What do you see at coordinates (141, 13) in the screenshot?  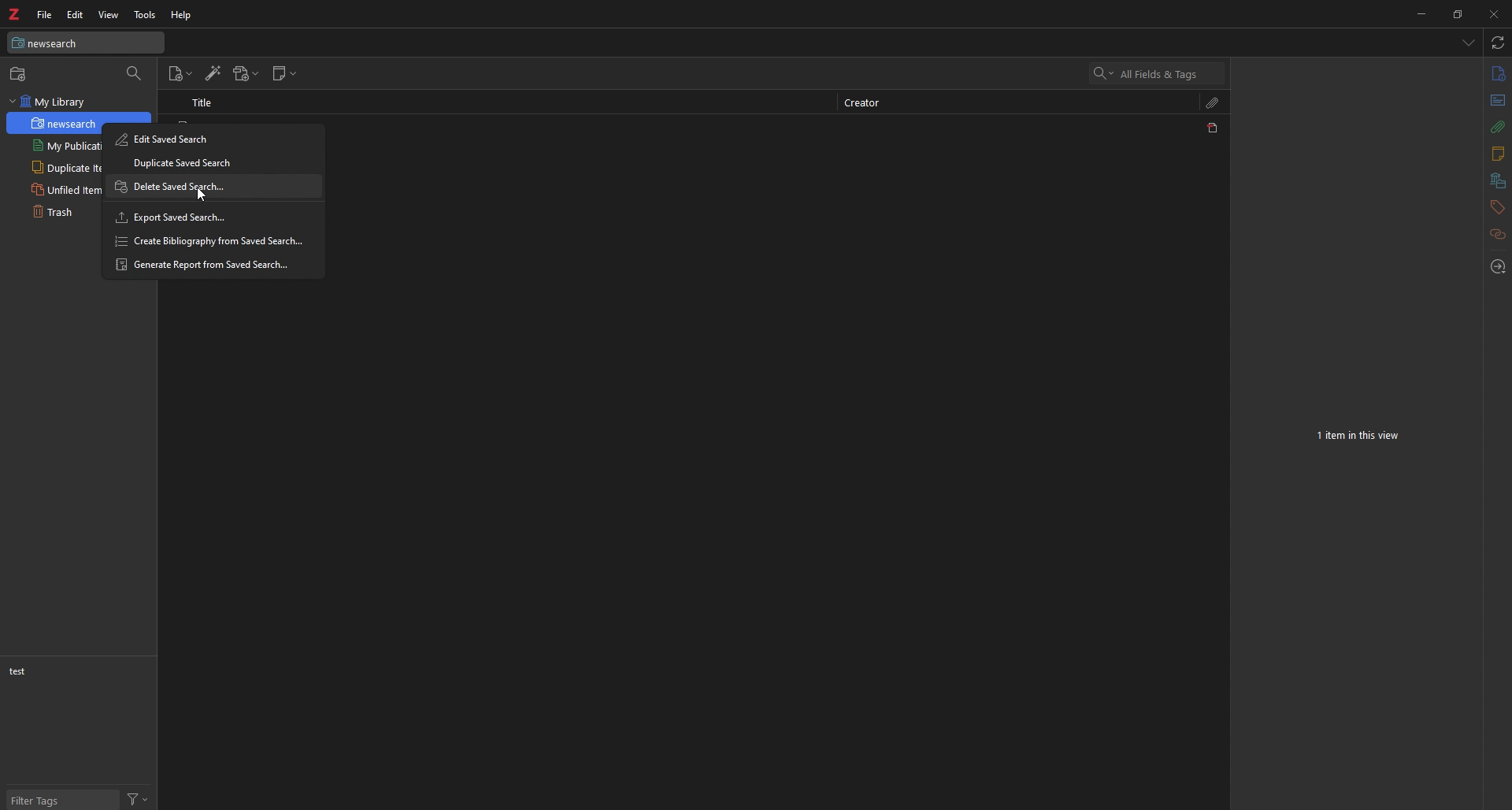 I see `Tools` at bounding box center [141, 13].